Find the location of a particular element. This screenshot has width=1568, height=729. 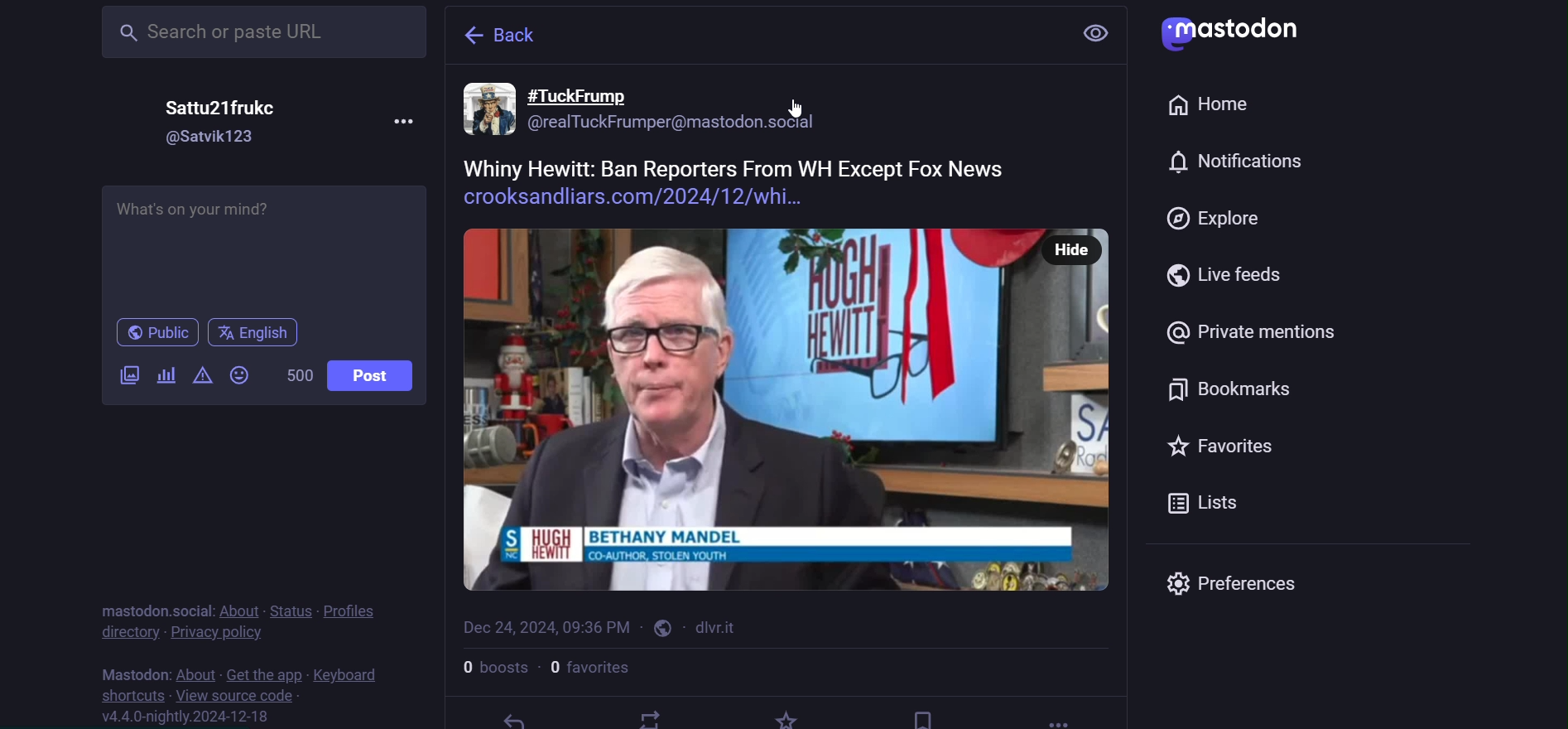

search is located at coordinates (261, 35).